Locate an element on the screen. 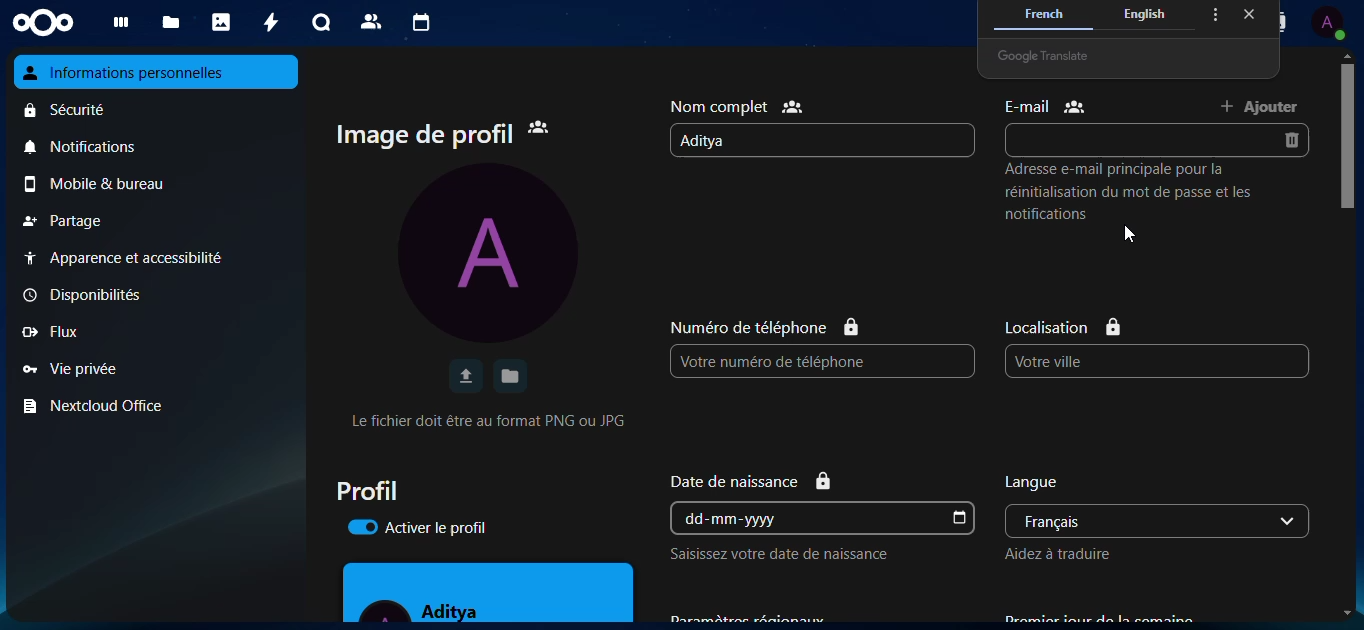 Image resolution: width=1364 pixels, height=630 pixels. location is located at coordinates (1065, 323).